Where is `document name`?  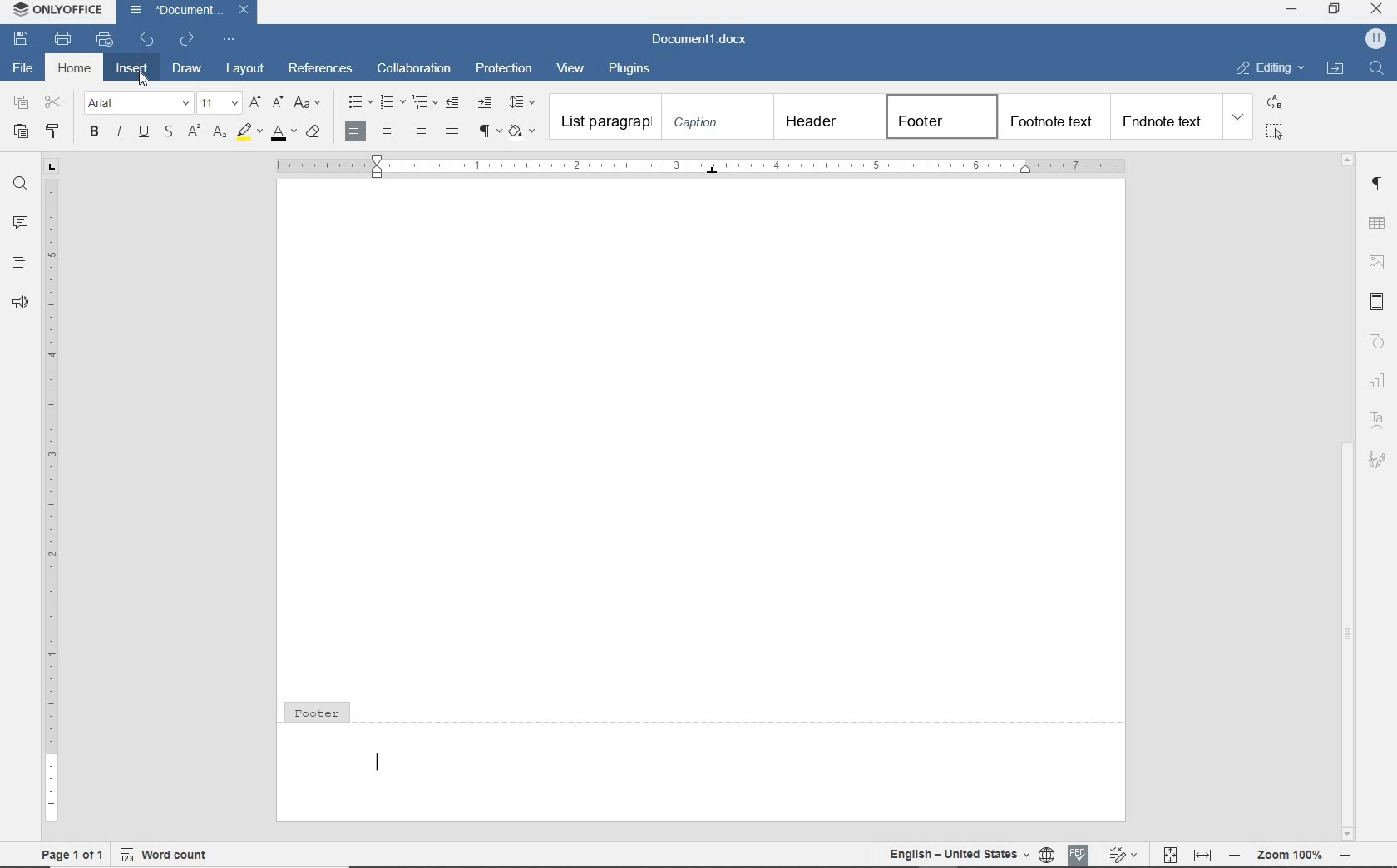
document name is located at coordinates (180, 11).